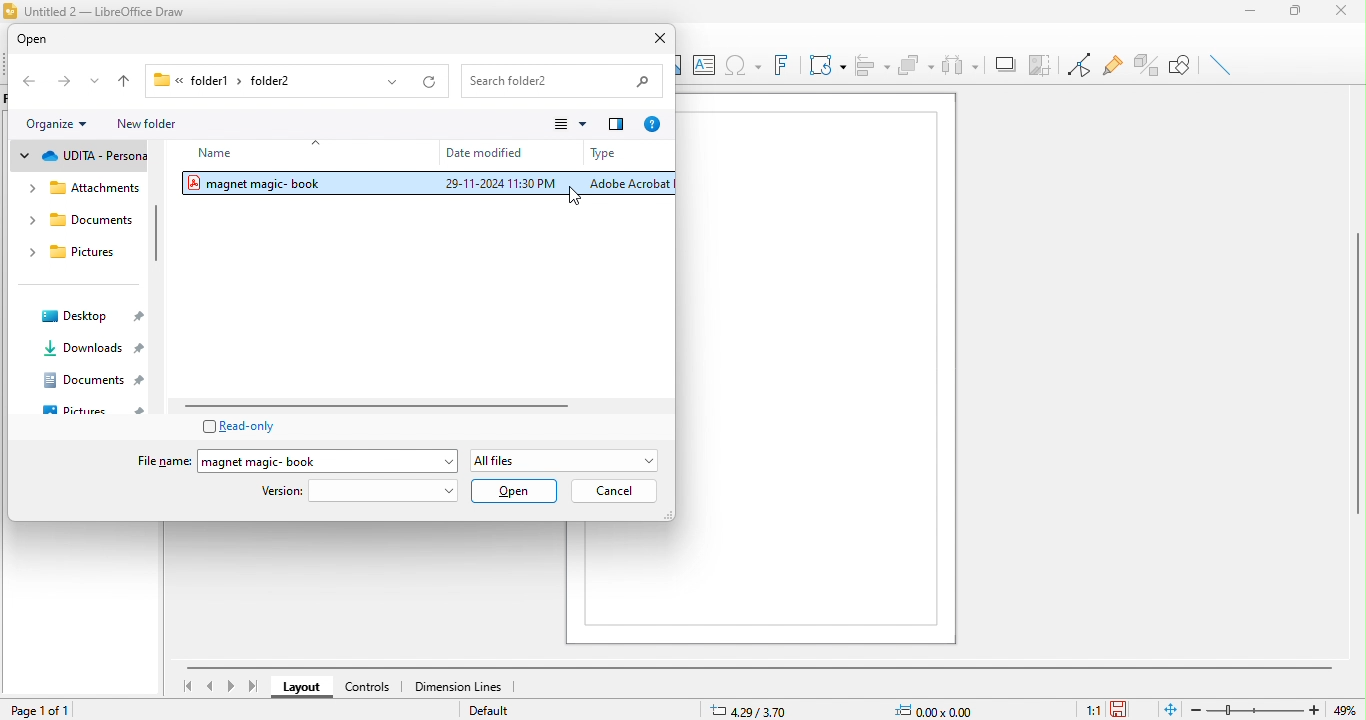 This screenshot has width=1366, height=720. What do you see at coordinates (1344, 13) in the screenshot?
I see `close` at bounding box center [1344, 13].